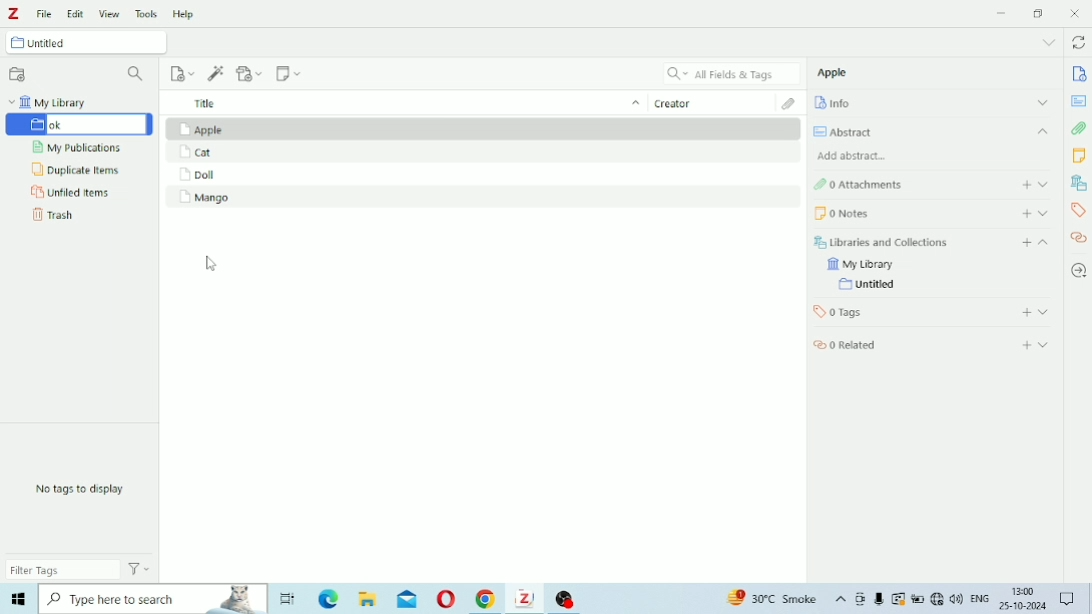 The height and width of the screenshot is (614, 1092). I want to click on Add Attachment, so click(249, 73).